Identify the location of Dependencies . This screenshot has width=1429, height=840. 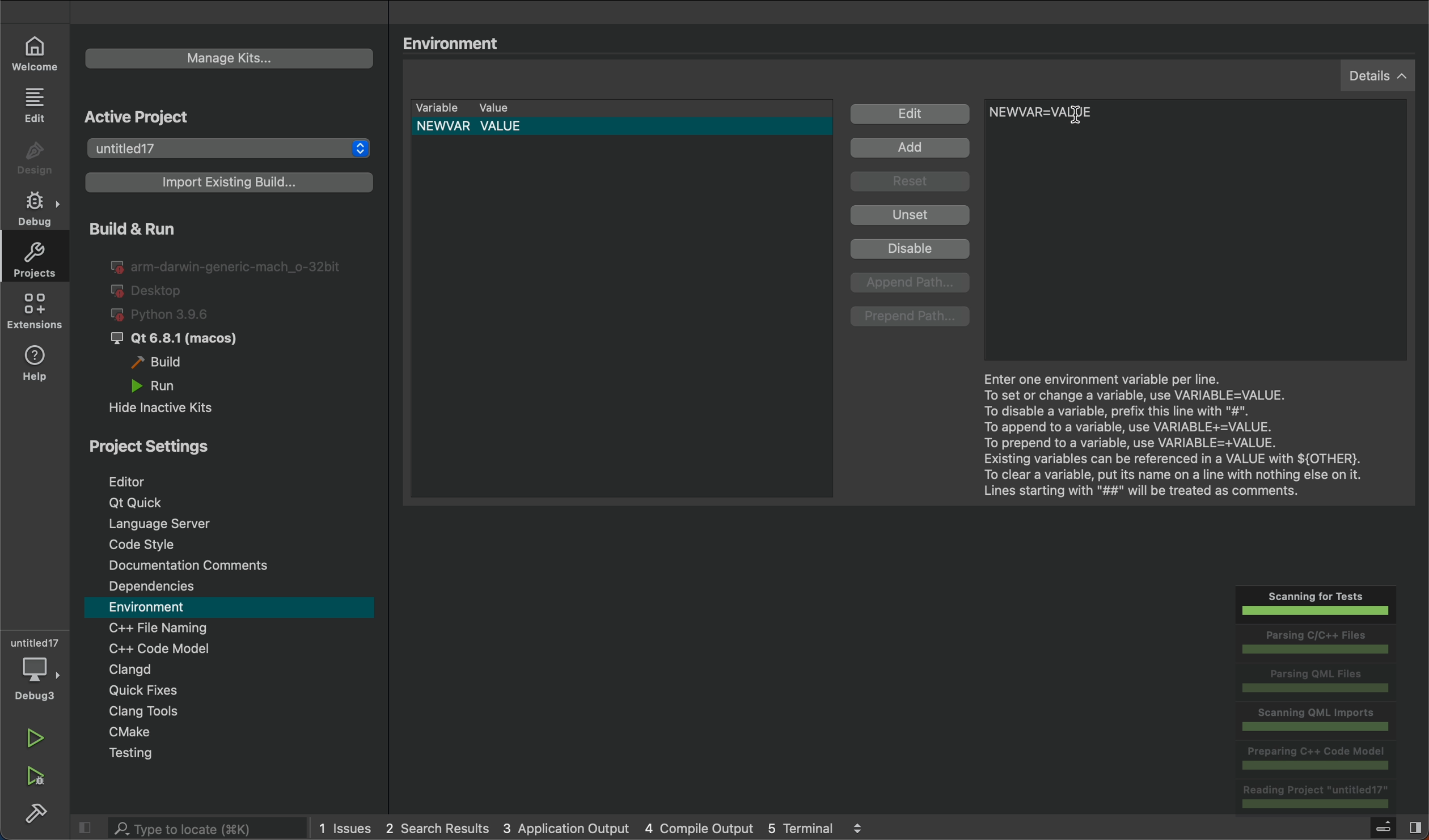
(233, 587).